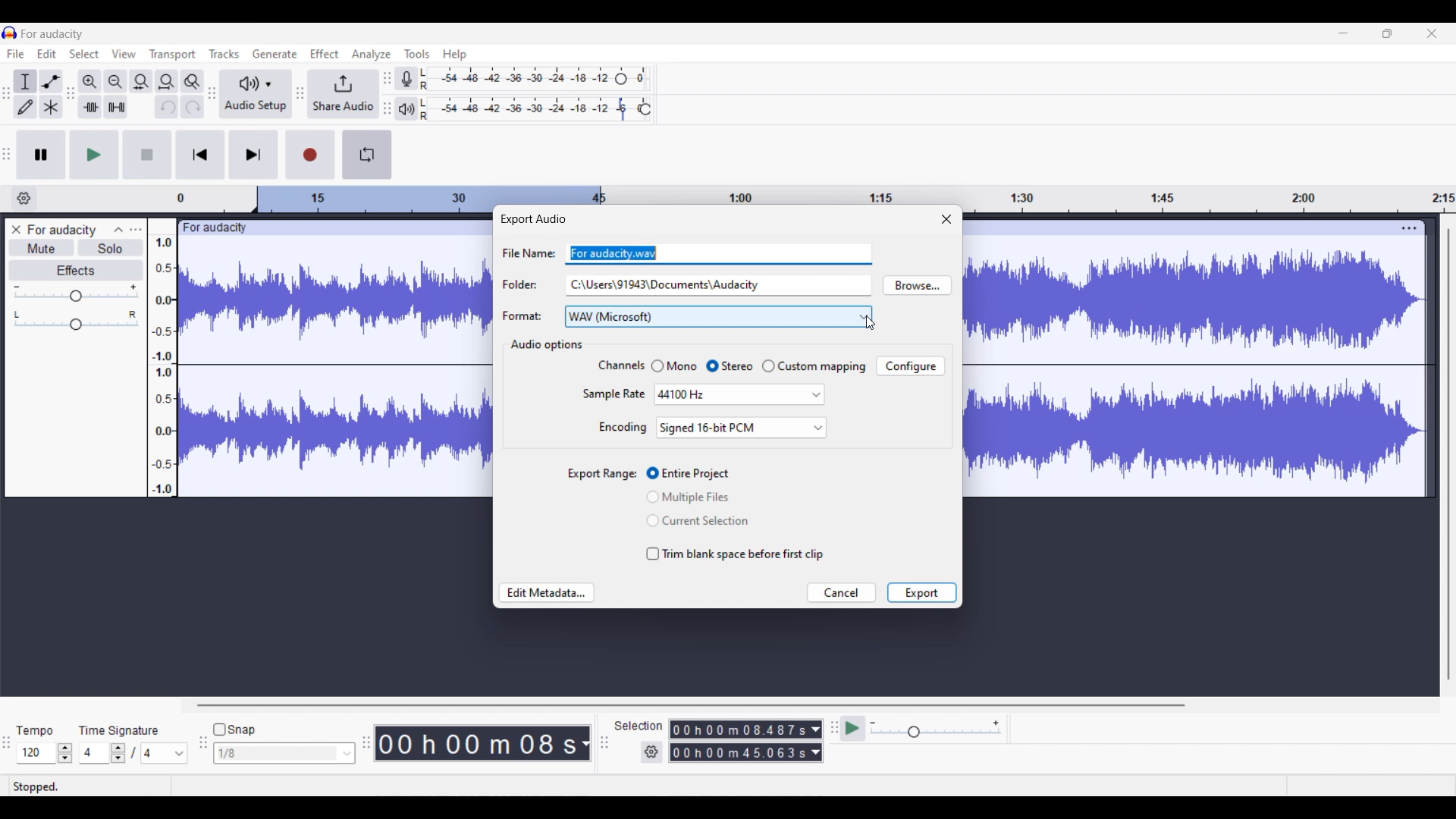  Describe the element at coordinates (741, 428) in the screenshot. I see `Options for 'Encoding'` at that location.